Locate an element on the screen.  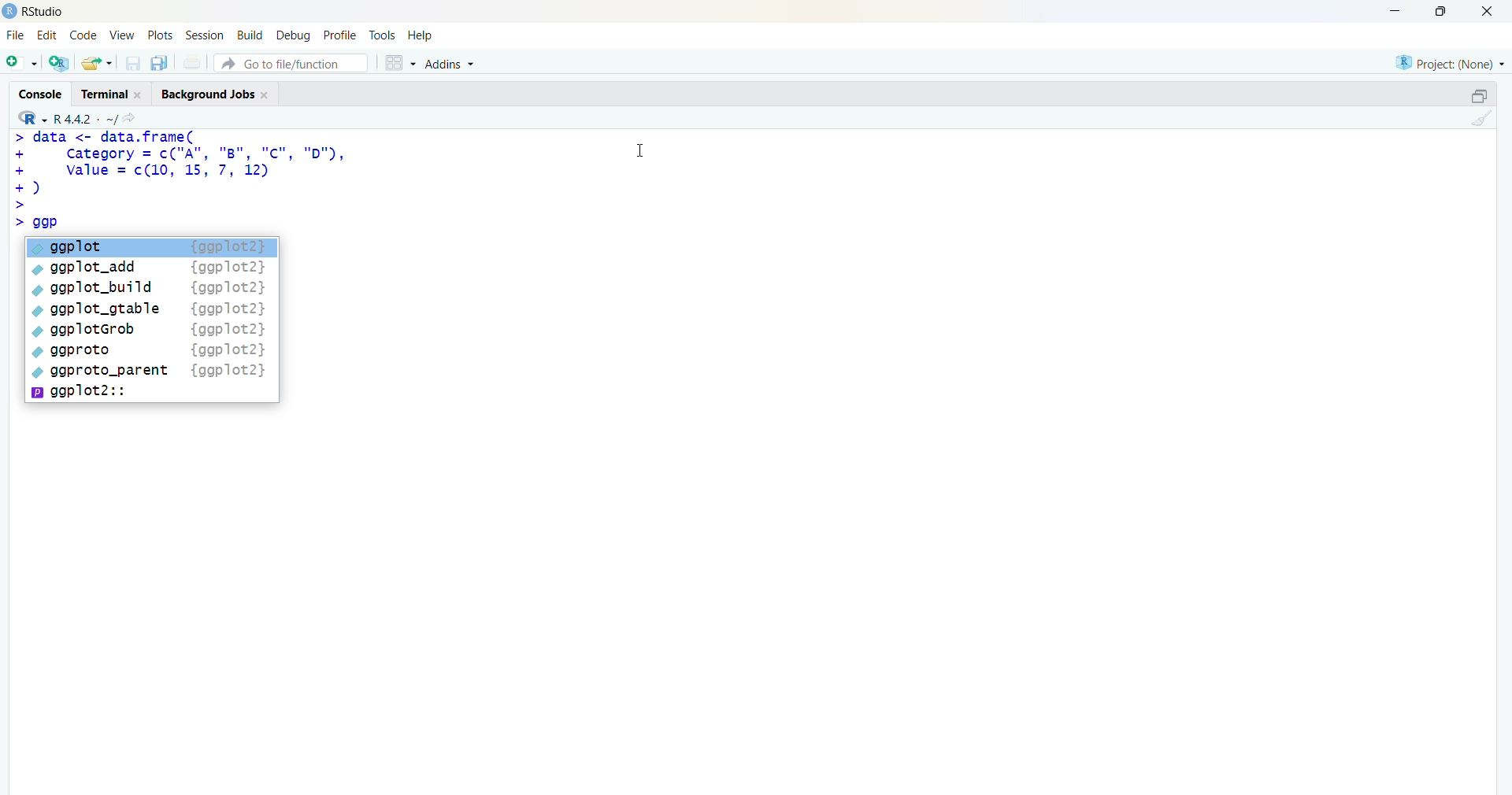
selected project - none is located at coordinates (1452, 62).